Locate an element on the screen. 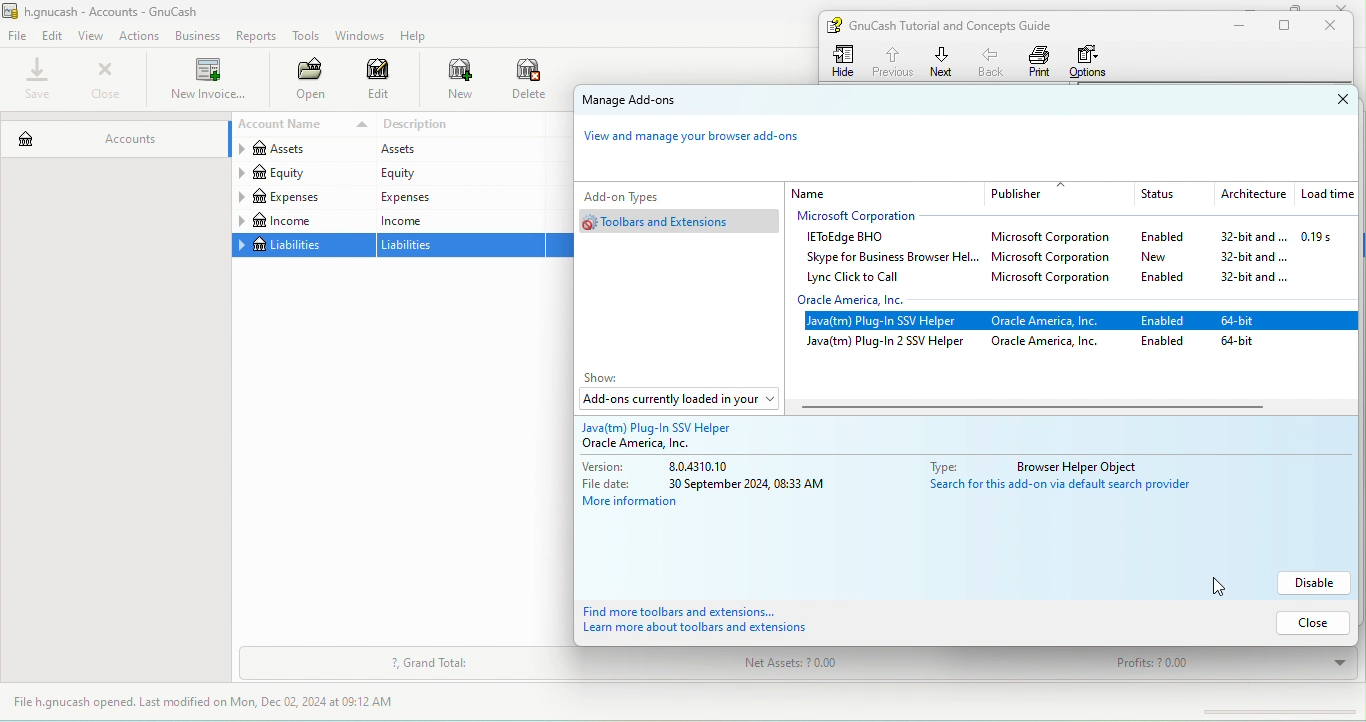 The image size is (1366, 722). next is located at coordinates (942, 61).